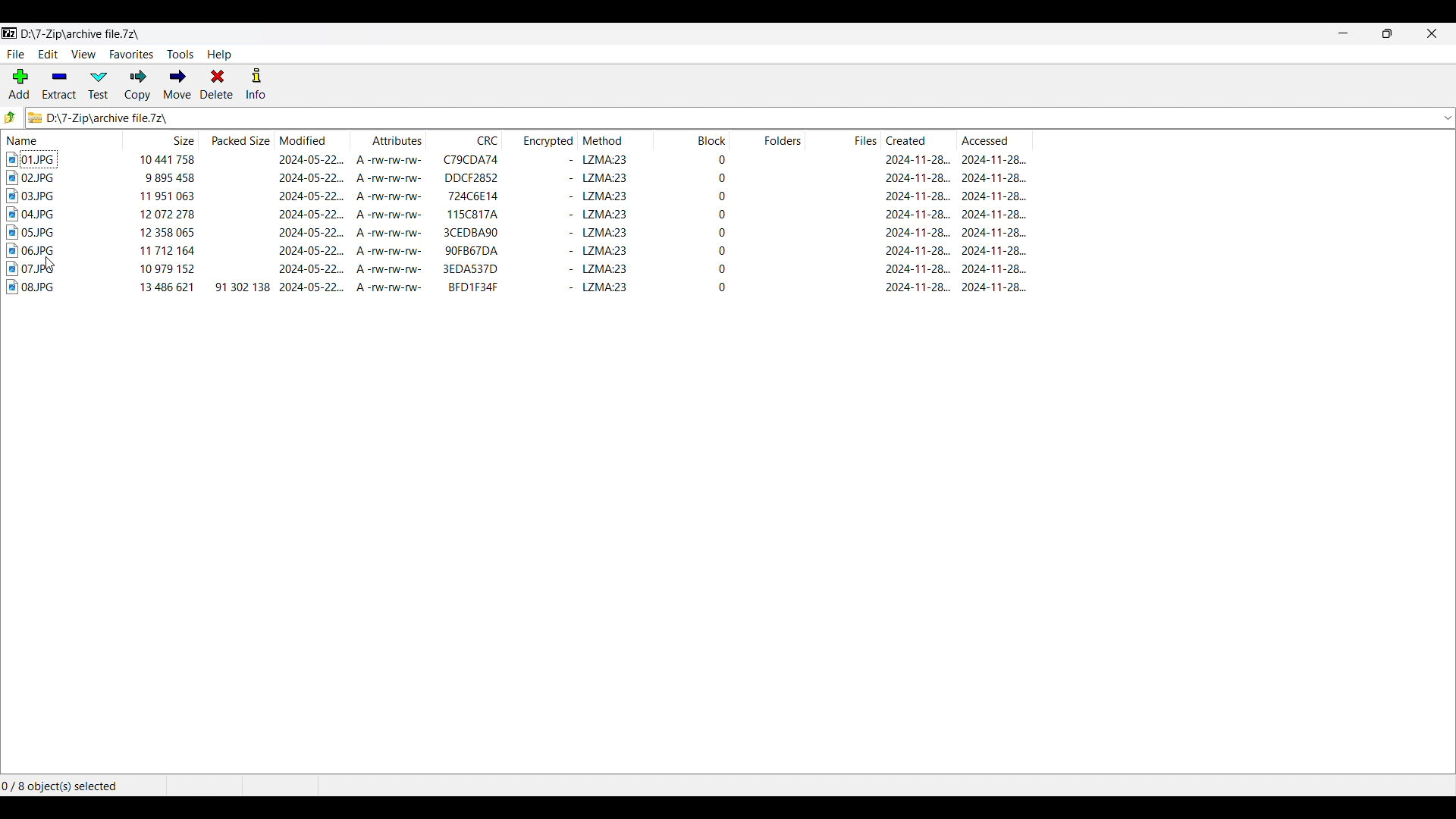 The width and height of the screenshot is (1456, 819). Describe the element at coordinates (604, 250) in the screenshot. I see `method` at that location.